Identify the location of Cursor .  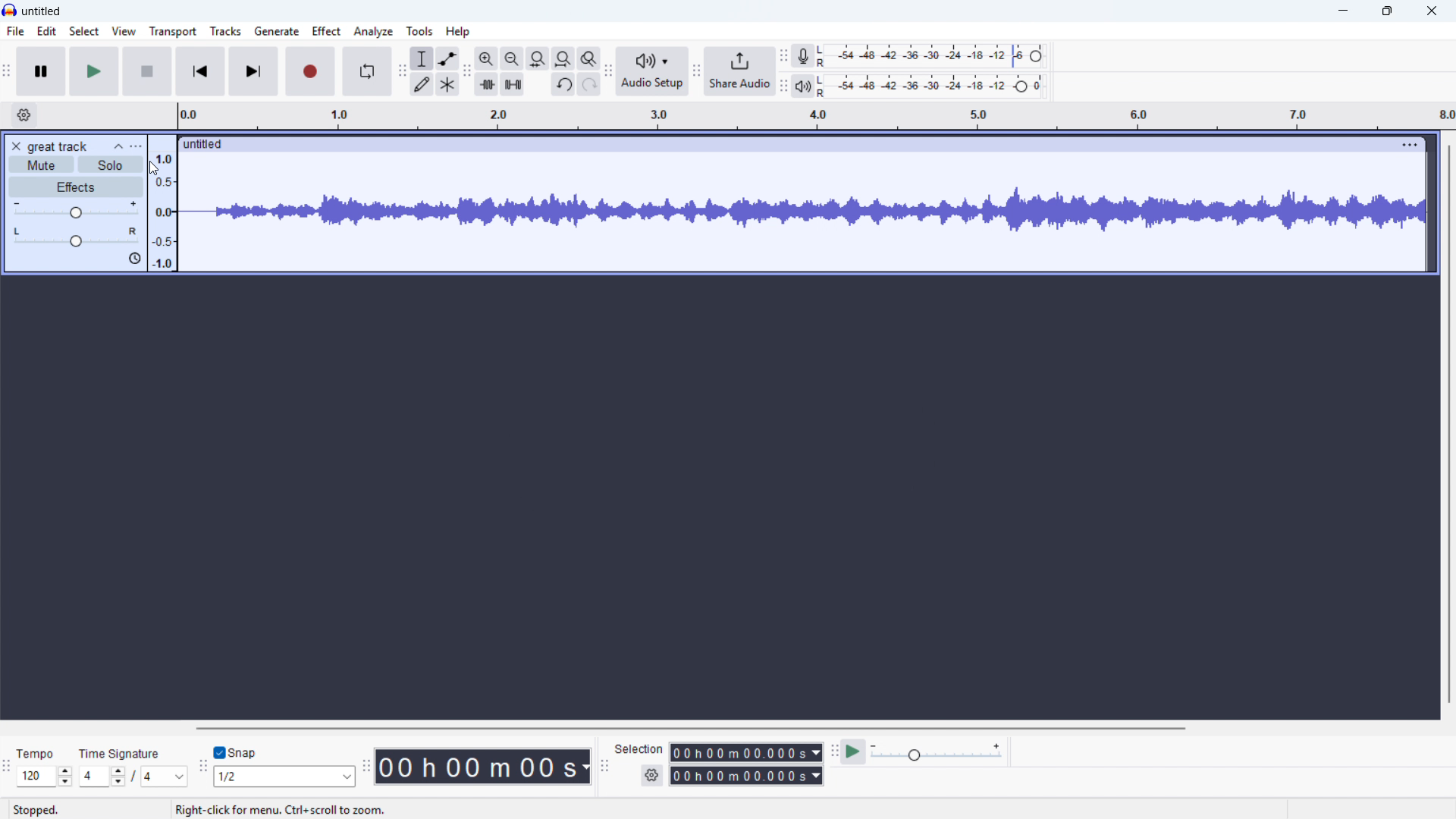
(155, 171).